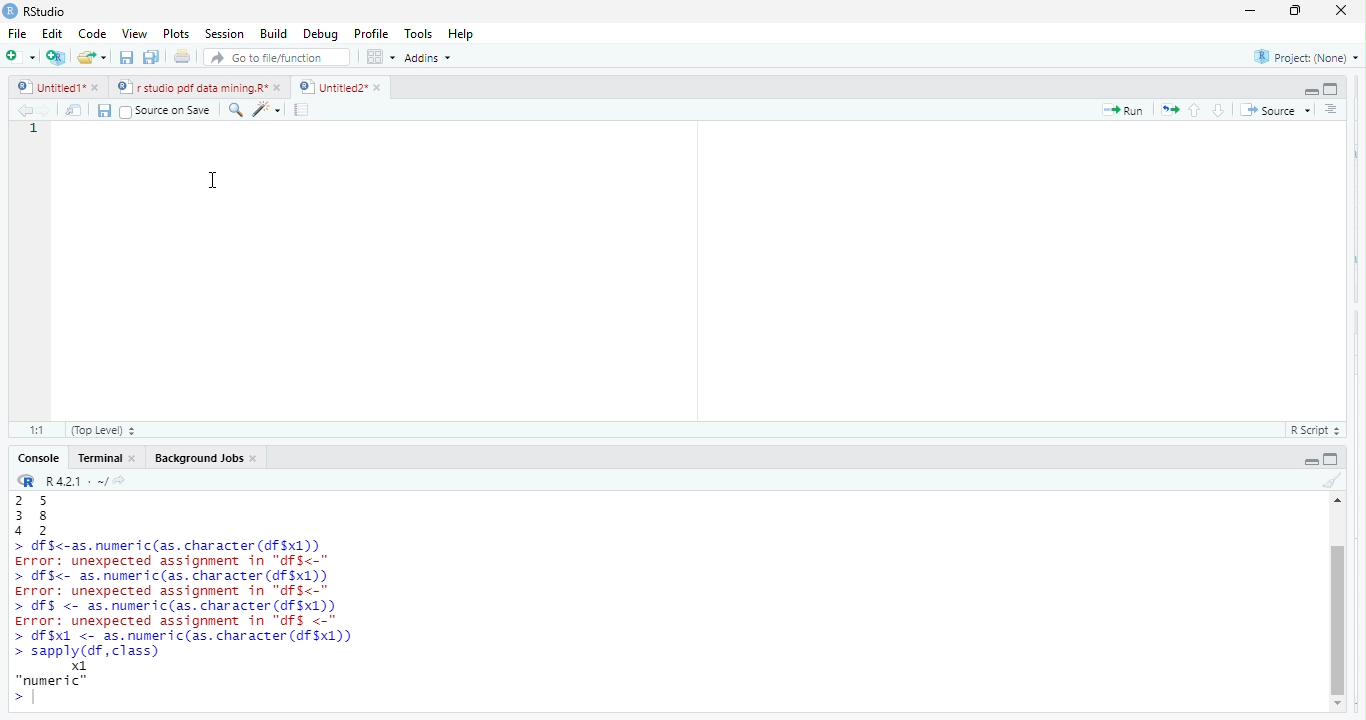 The height and width of the screenshot is (720, 1366). What do you see at coordinates (76, 113) in the screenshot?
I see `show in new window.` at bounding box center [76, 113].